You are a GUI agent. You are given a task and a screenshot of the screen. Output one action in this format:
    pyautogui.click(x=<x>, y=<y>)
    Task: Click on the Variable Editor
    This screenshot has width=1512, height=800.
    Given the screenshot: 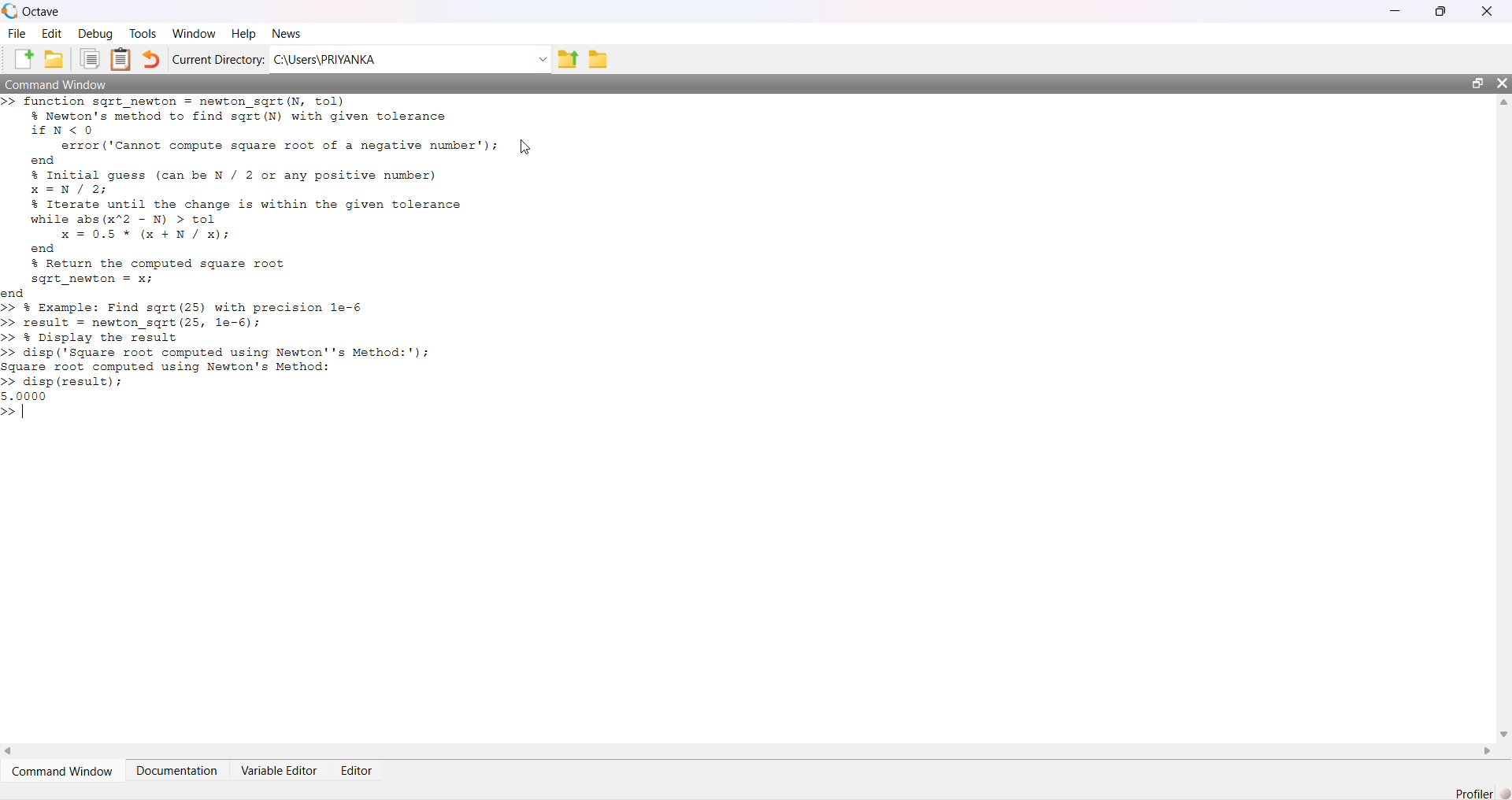 What is the action you would take?
    pyautogui.click(x=278, y=770)
    